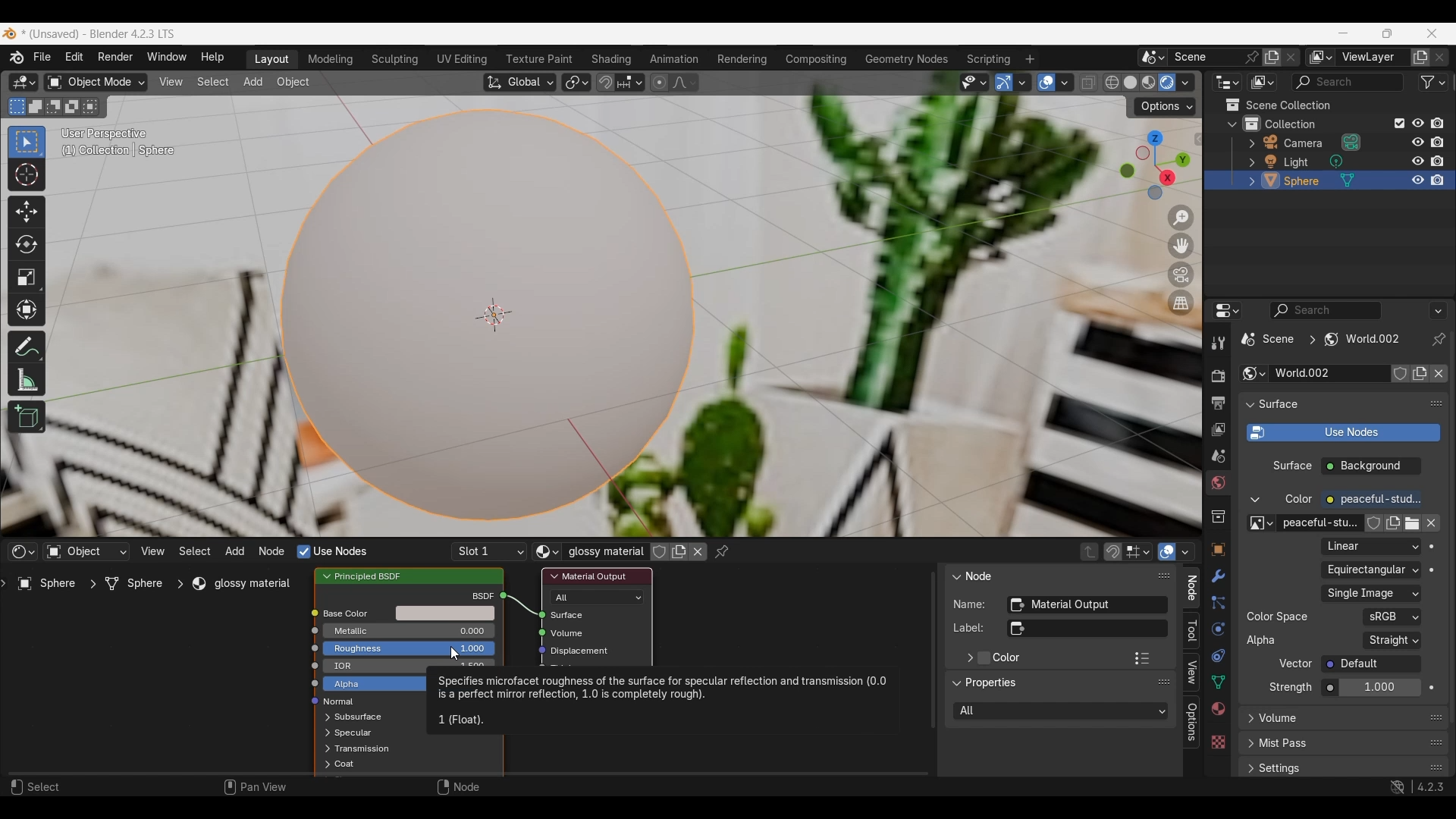 The height and width of the screenshot is (819, 1456). Describe the element at coordinates (548, 552) in the screenshot. I see `Browse material to be linked` at that location.